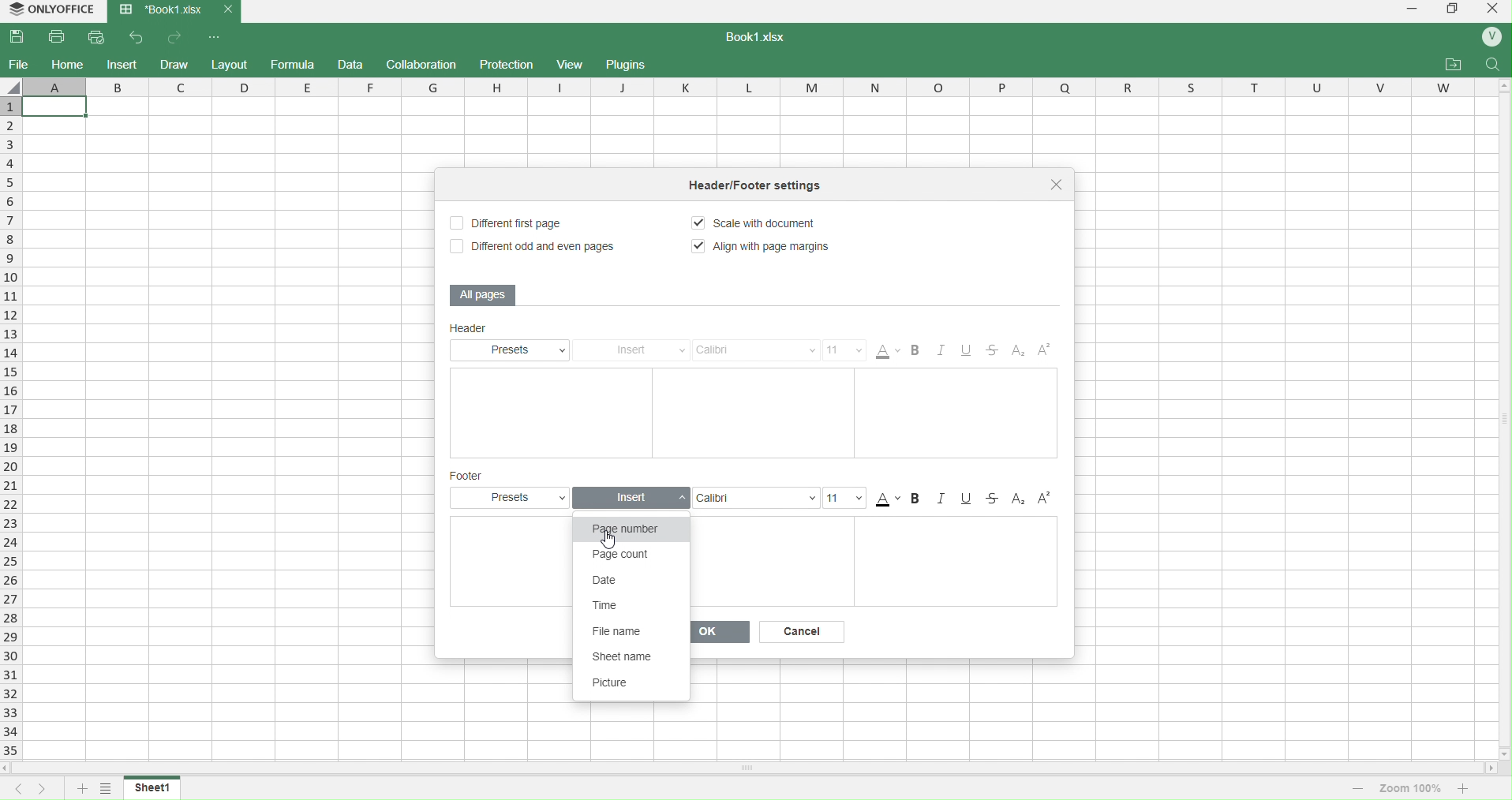 This screenshot has height=800, width=1512. I want to click on minimize, so click(1410, 11).